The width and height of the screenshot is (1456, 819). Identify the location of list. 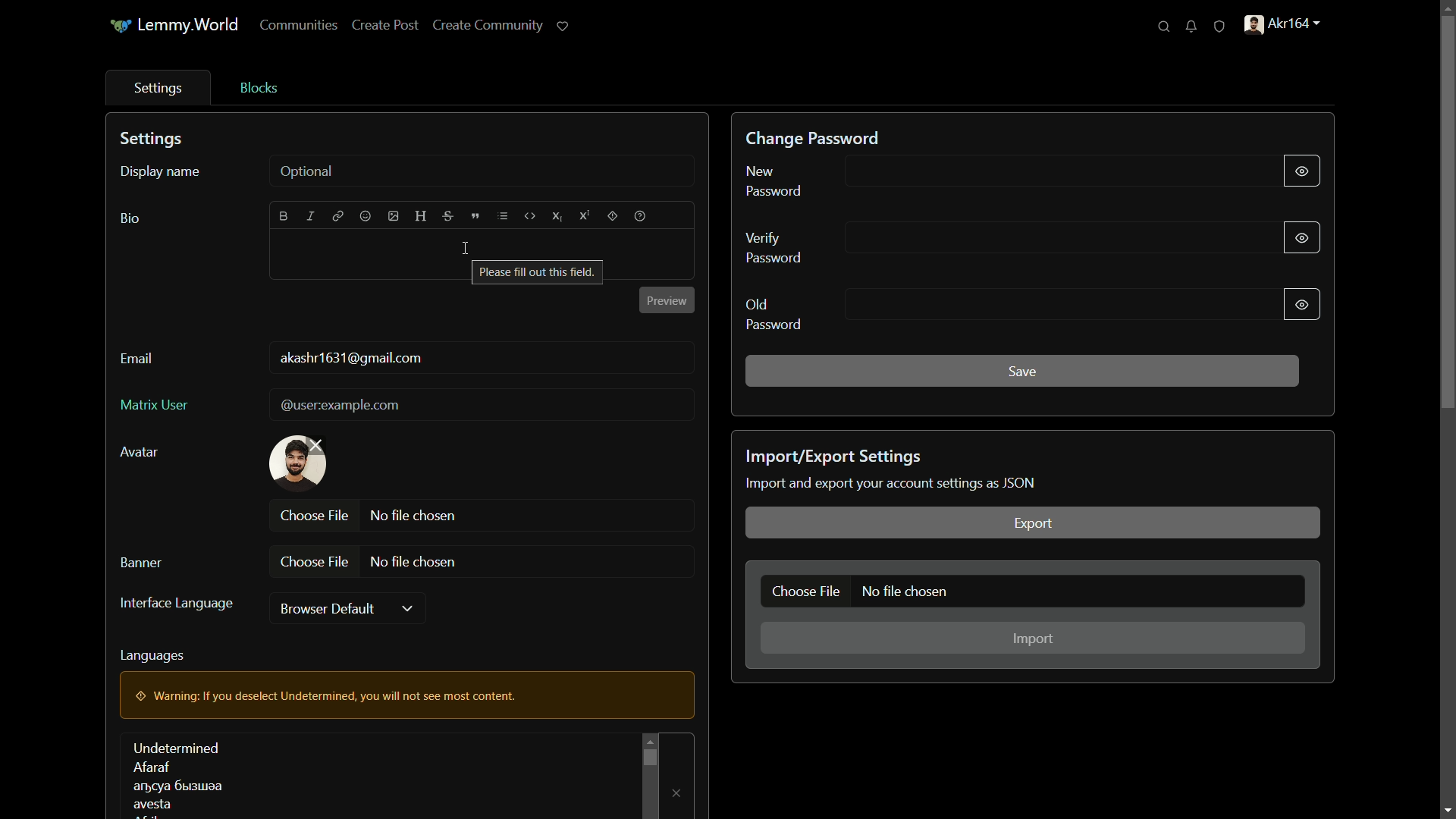
(503, 216).